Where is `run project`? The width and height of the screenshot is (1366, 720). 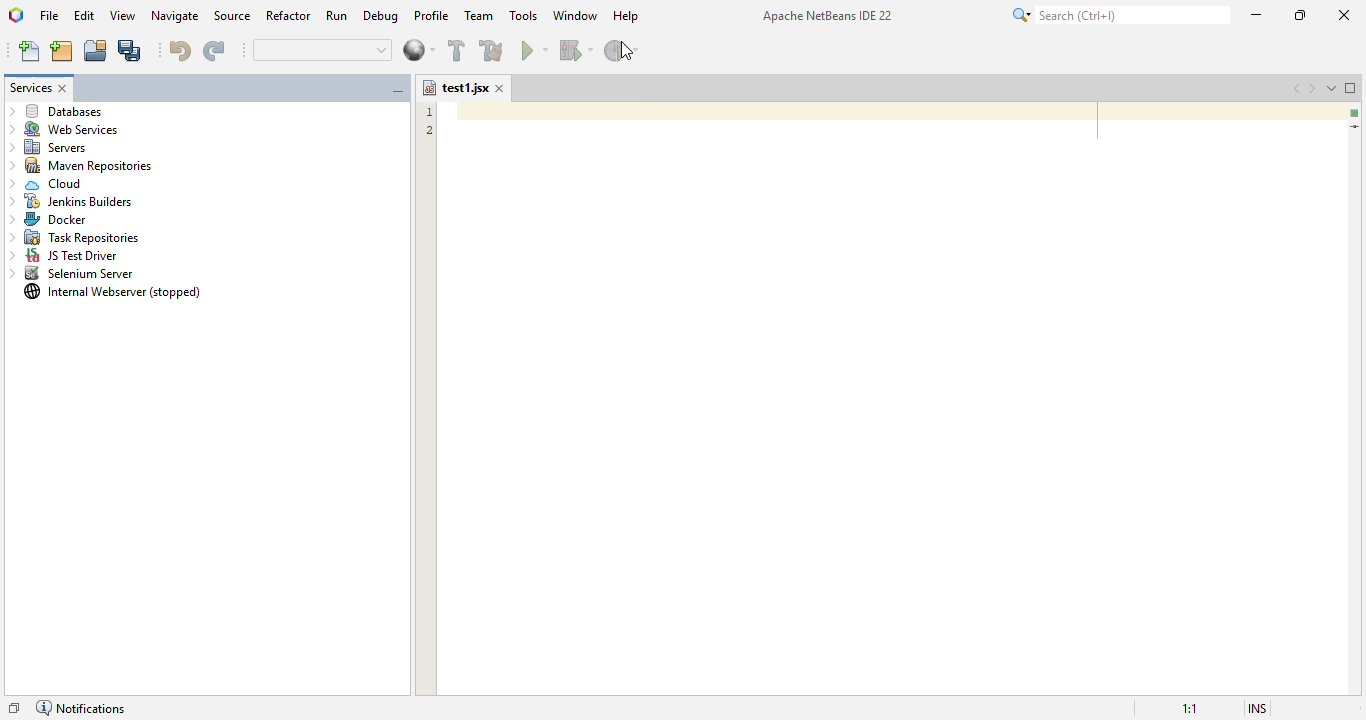 run project is located at coordinates (535, 50).